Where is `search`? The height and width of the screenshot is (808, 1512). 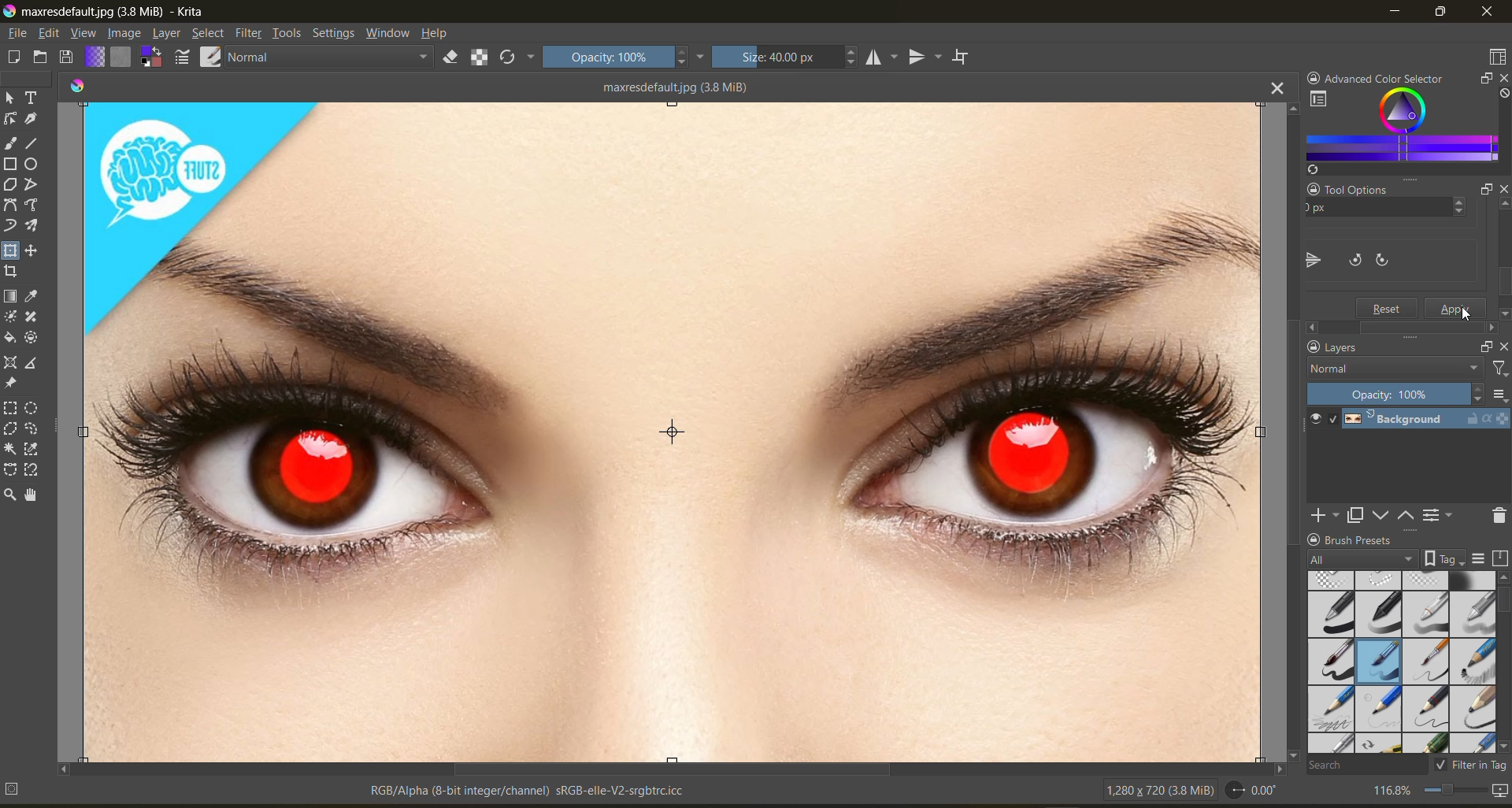 search is located at coordinates (1373, 766).